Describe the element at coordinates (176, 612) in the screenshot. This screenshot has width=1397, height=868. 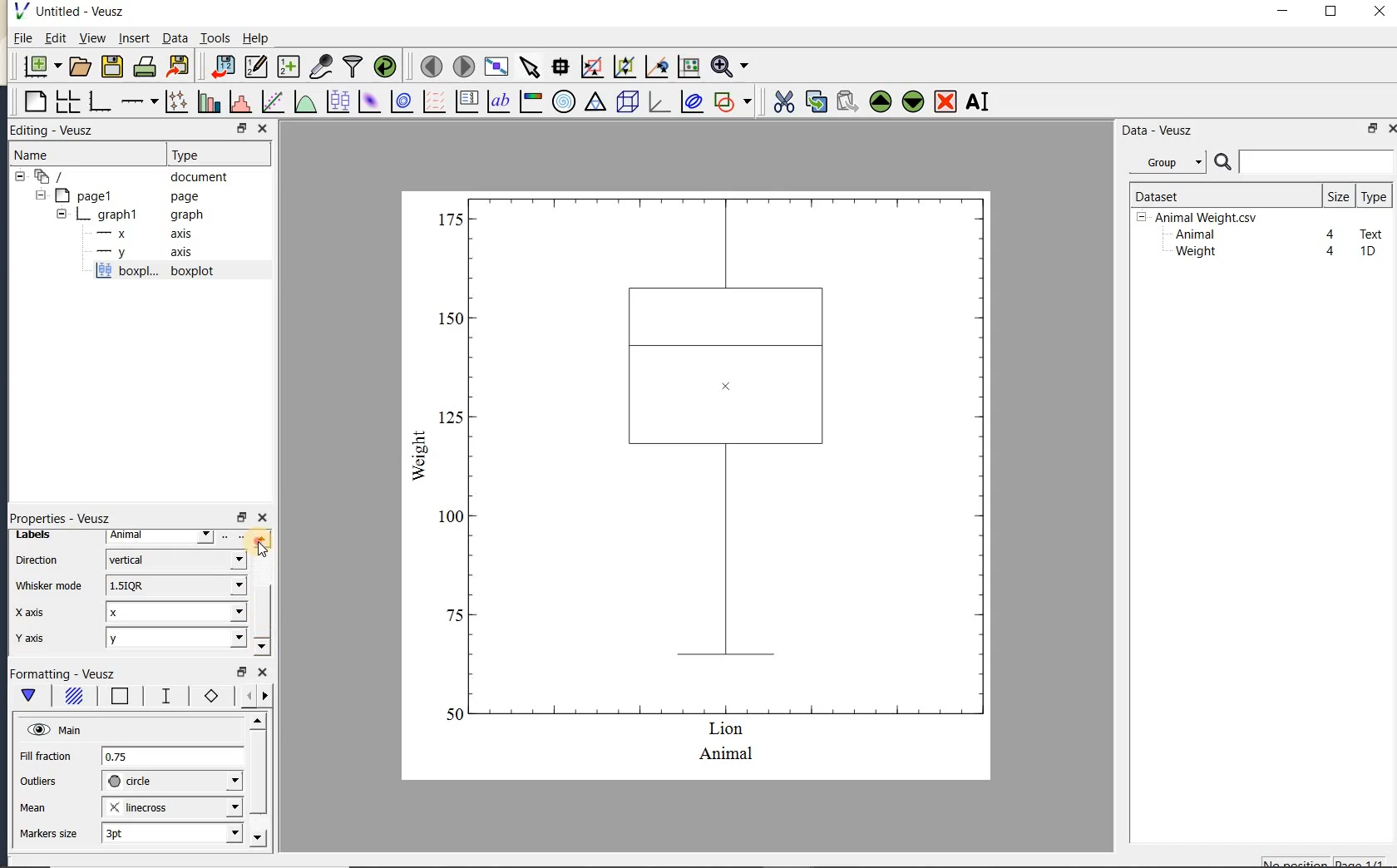
I see `X` at that location.